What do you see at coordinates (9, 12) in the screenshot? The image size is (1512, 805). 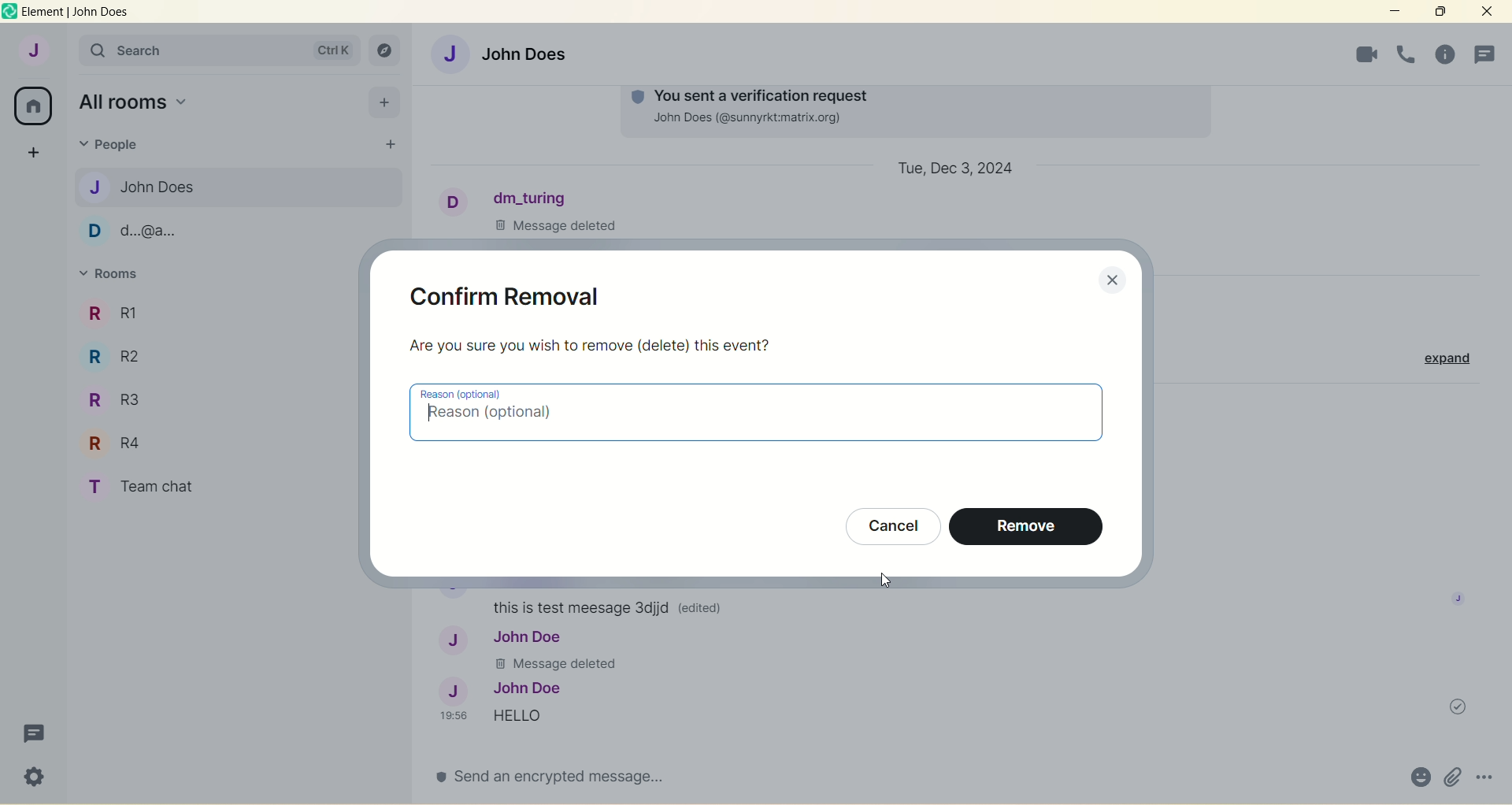 I see `logo` at bounding box center [9, 12].